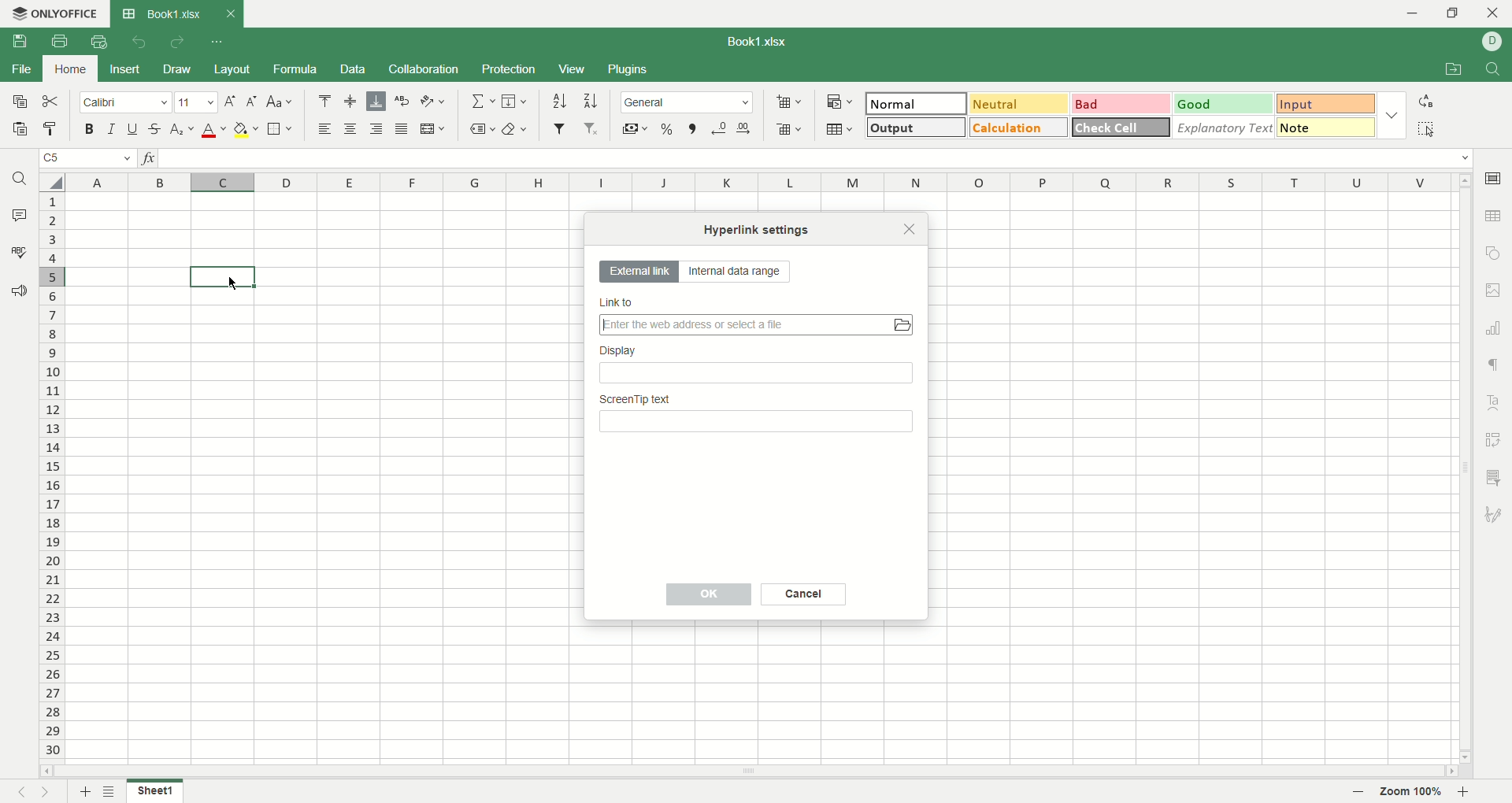 The width and height of the screenshot is (1512, 803). What do you see at coordinates (559, 101) in the screenshot?
I see `sort ascending` at bounding box center [559, 101].